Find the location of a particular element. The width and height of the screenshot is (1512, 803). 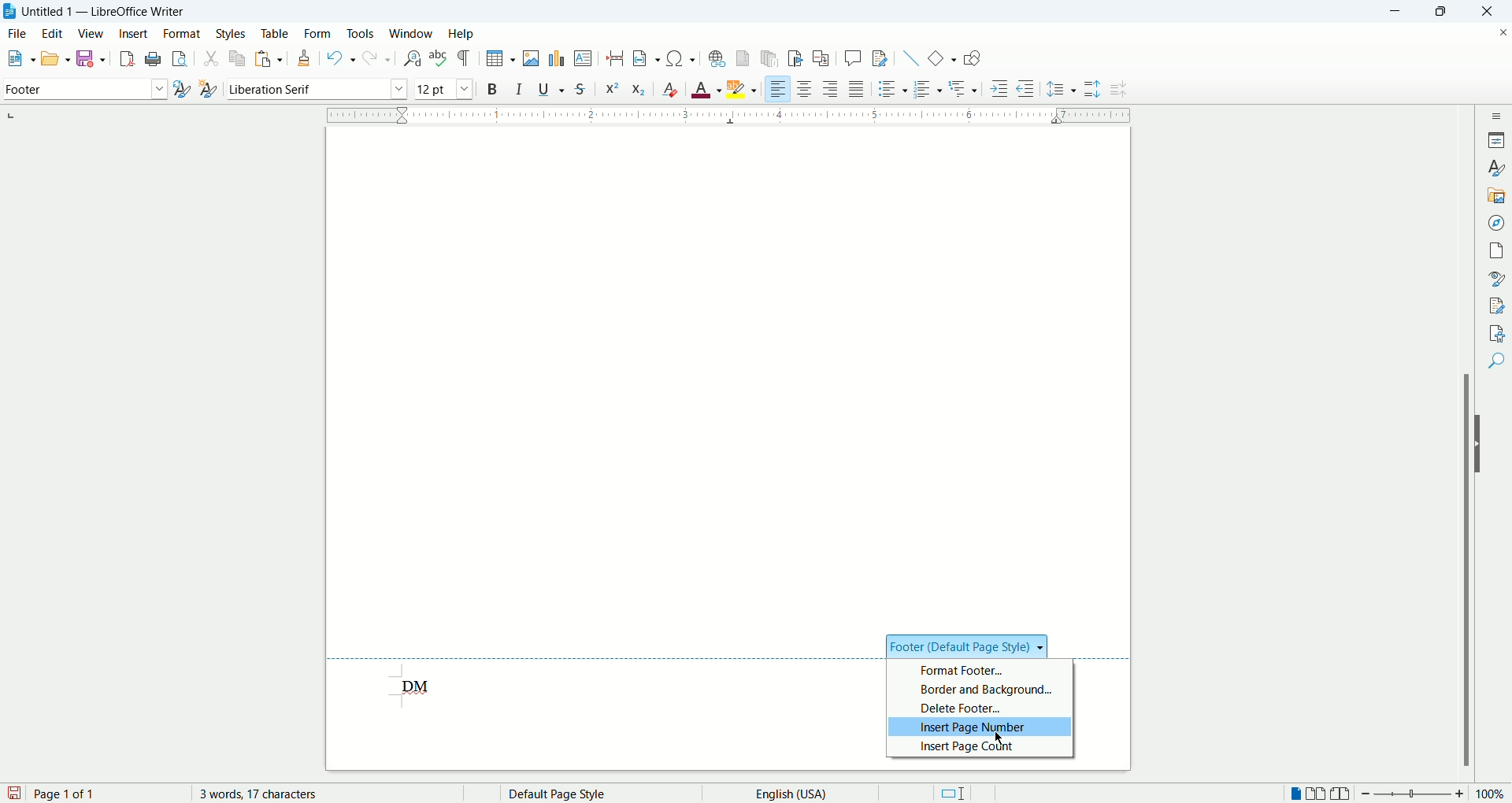

scroll bar is located at coordinates (1469, 442).